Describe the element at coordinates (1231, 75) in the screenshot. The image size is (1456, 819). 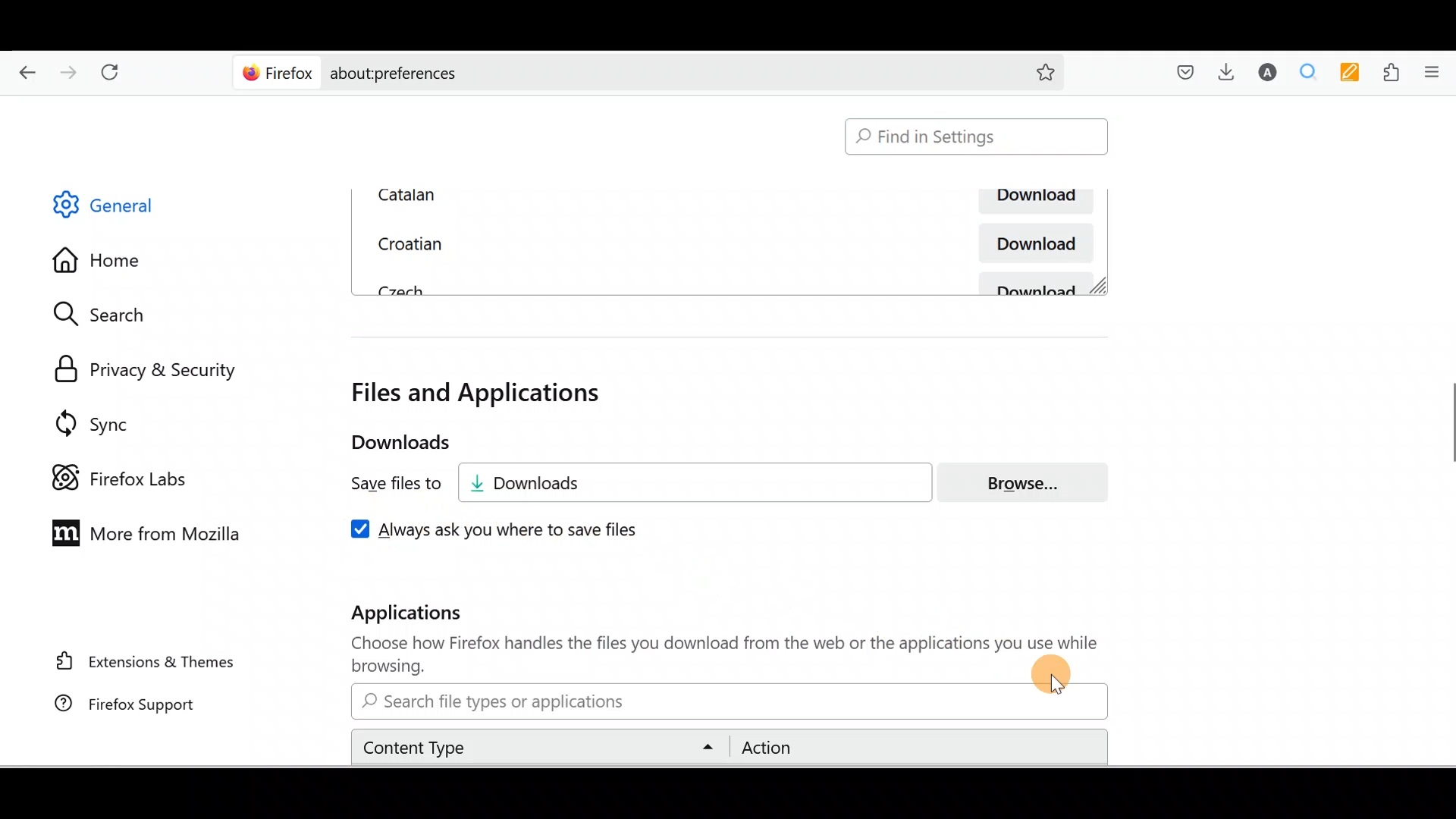
I see `Downloads` at that location.